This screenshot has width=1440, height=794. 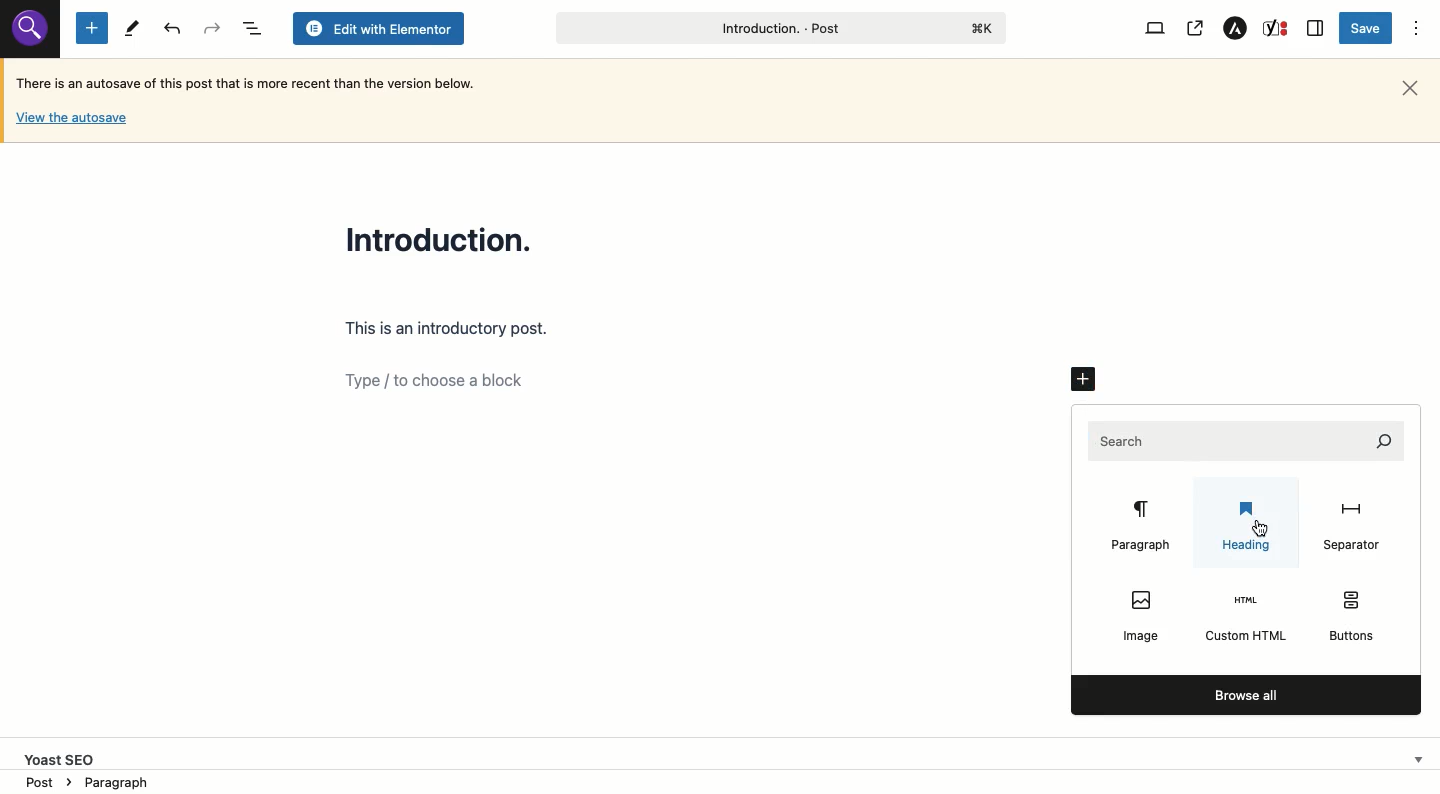 I want to click on Undo, so click(x=211, y=28).